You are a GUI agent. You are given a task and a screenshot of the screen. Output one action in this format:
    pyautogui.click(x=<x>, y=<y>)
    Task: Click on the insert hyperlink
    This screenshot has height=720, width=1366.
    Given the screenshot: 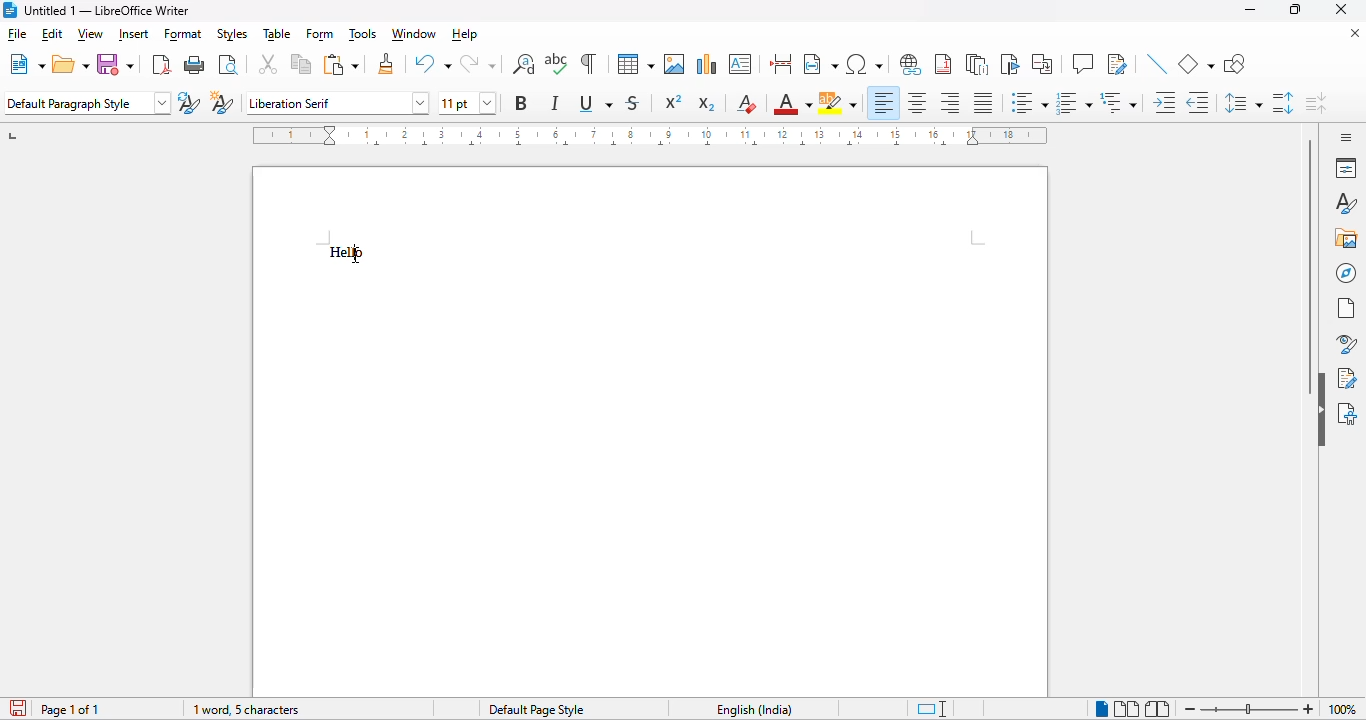 What is the action you would take?
    pyautogui.click(x=912, y=65)
    